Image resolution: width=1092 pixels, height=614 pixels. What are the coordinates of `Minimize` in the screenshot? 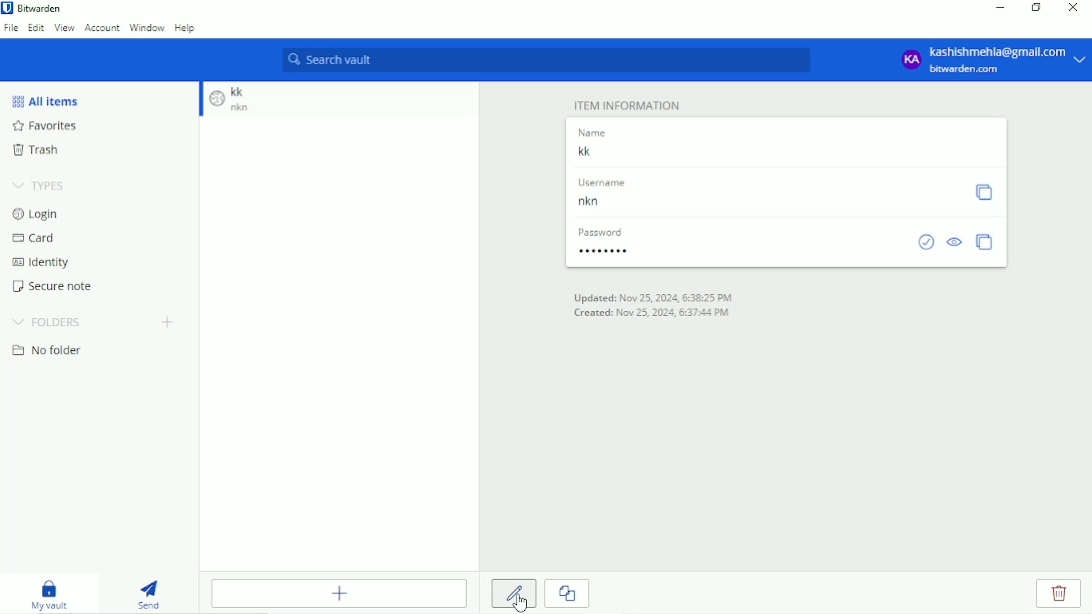 It's located at (1000, 9).